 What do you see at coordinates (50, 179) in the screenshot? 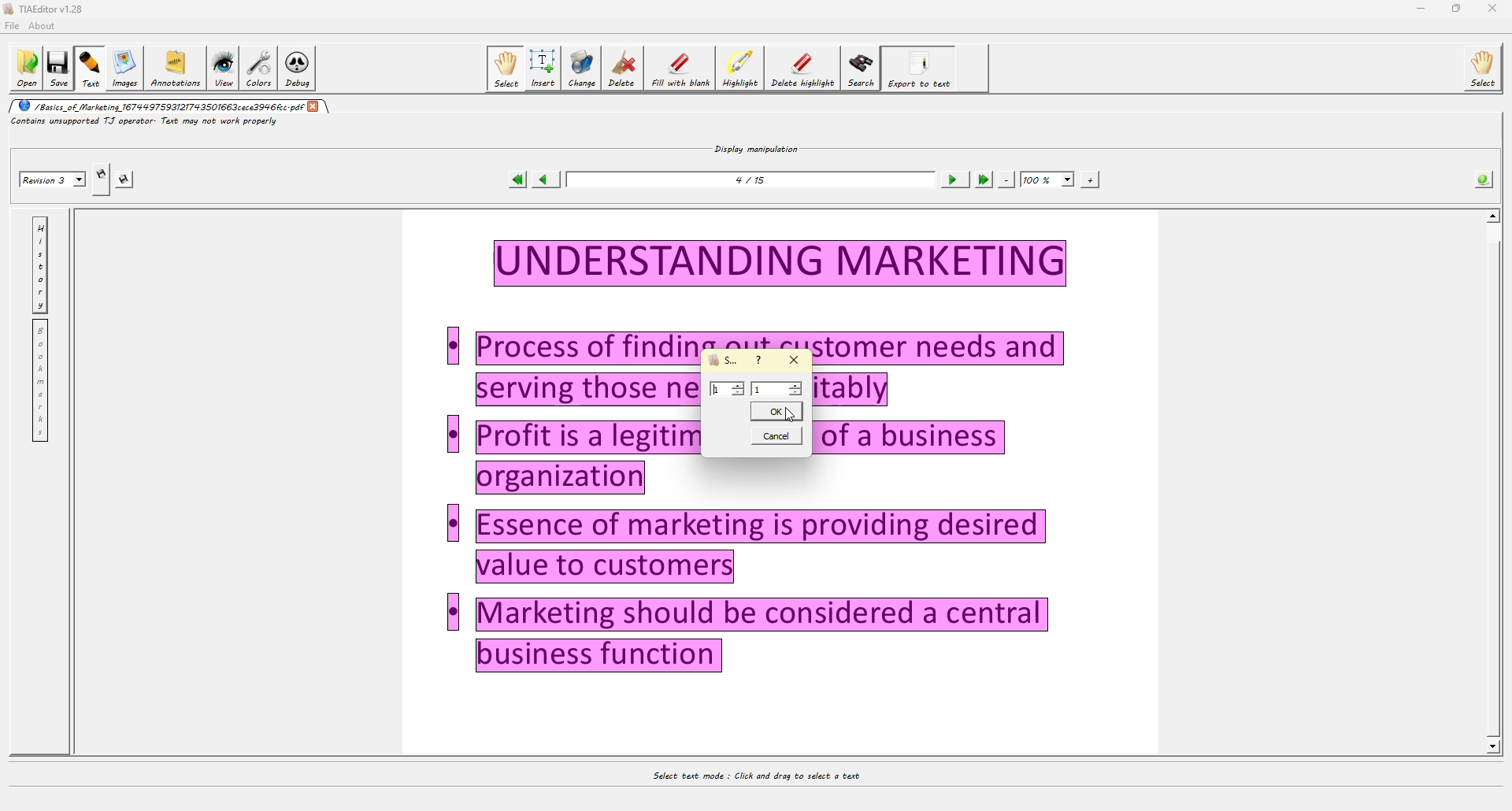
I see `revision` at bounding box center [50, 179].